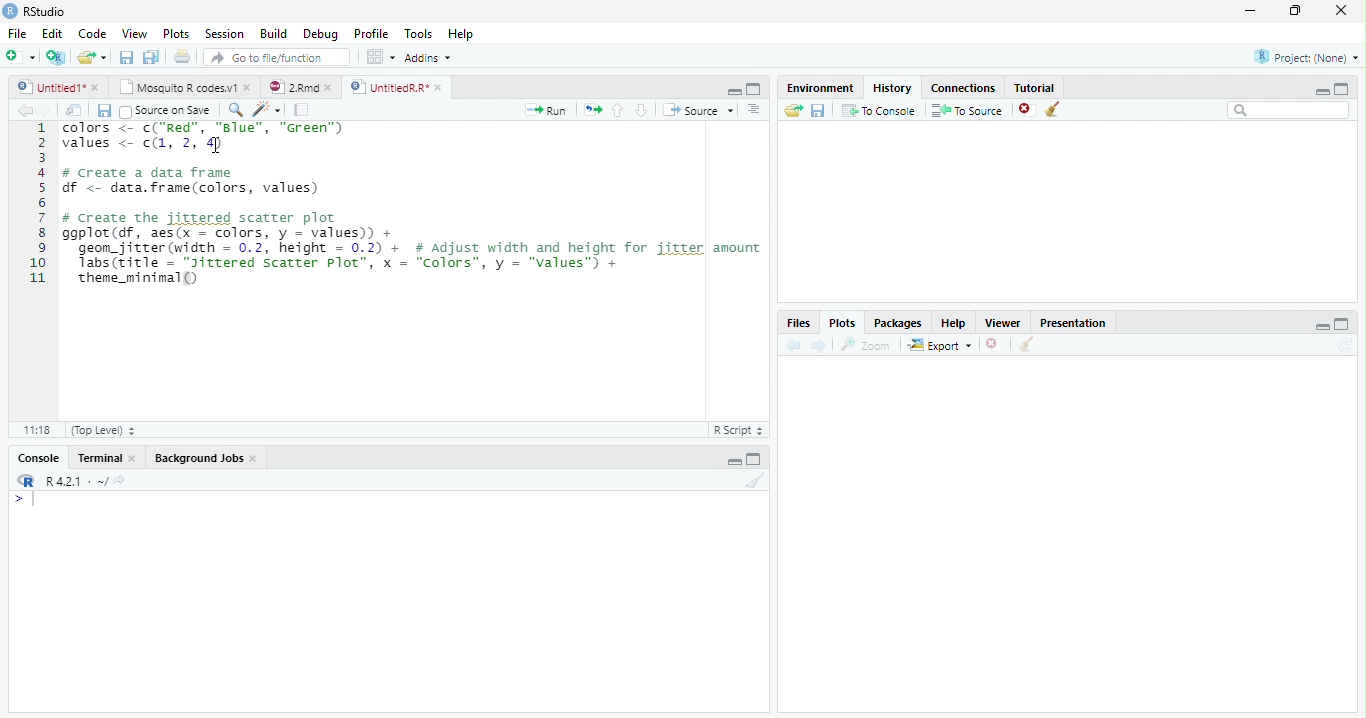 This screenshot has height=718, width=1366. What do you see at coordinates (328, 88) in the screenshot?
I see `close` at bounding box center [328, 88].